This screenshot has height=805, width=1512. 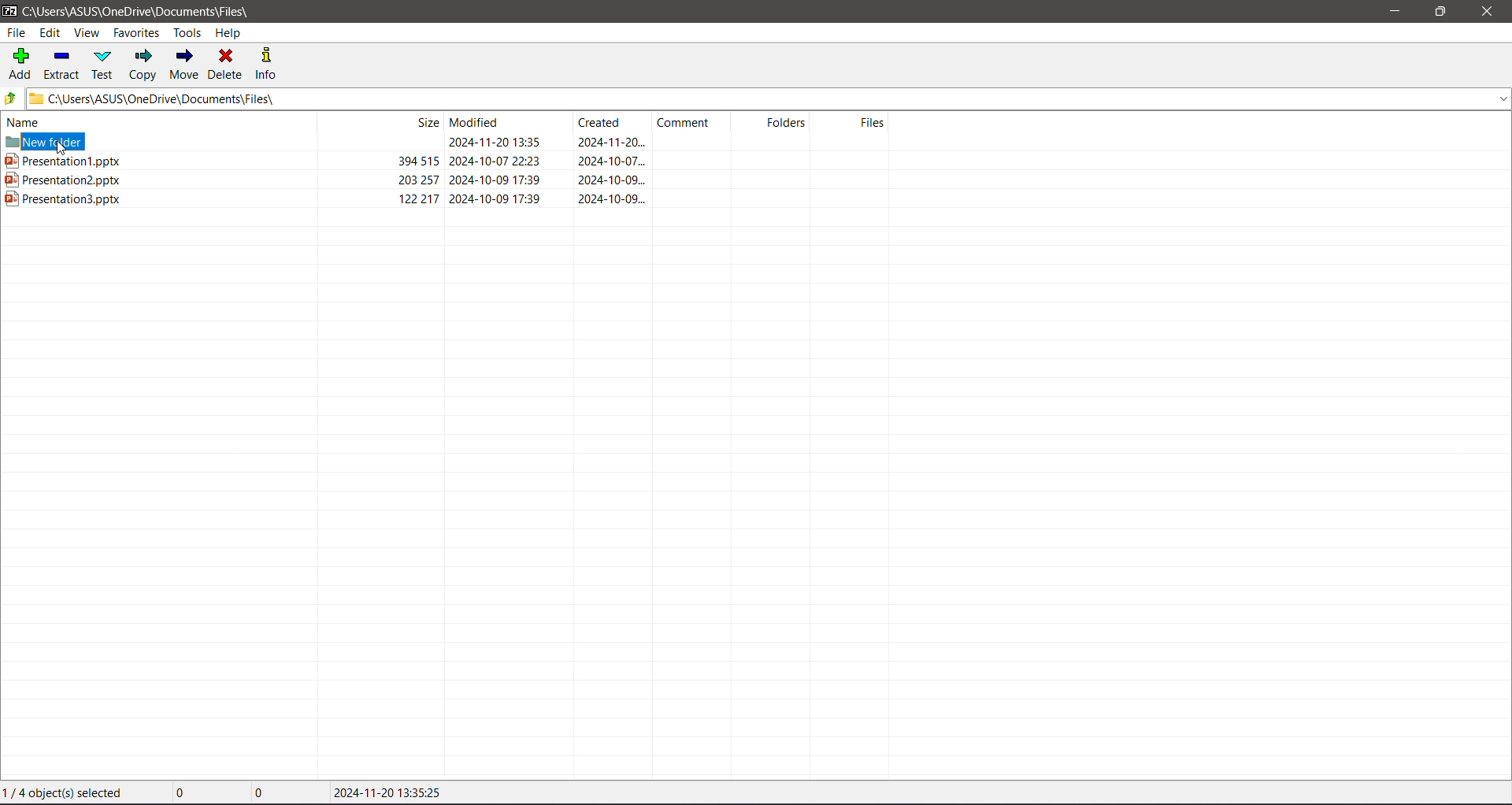 I want to click on Files, so click(x=856, y=123).